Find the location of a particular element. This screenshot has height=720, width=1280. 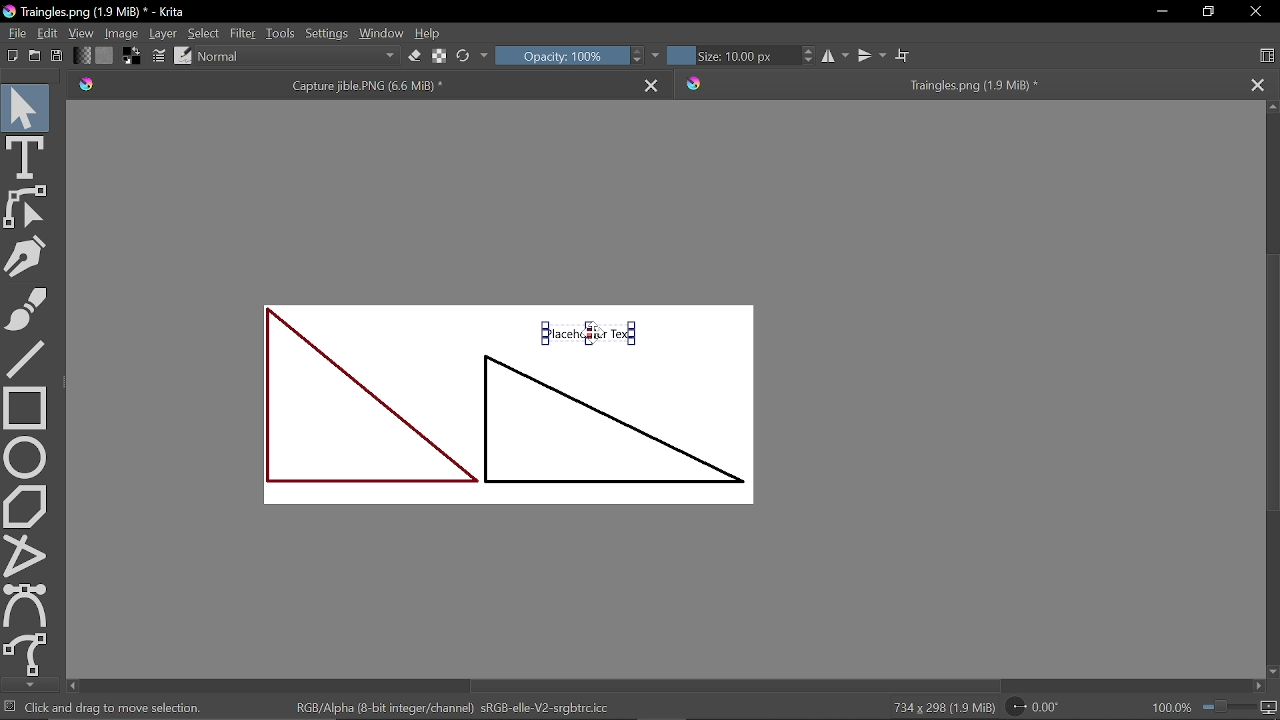

Opacity: 100% is located at coordinates (560, 56).